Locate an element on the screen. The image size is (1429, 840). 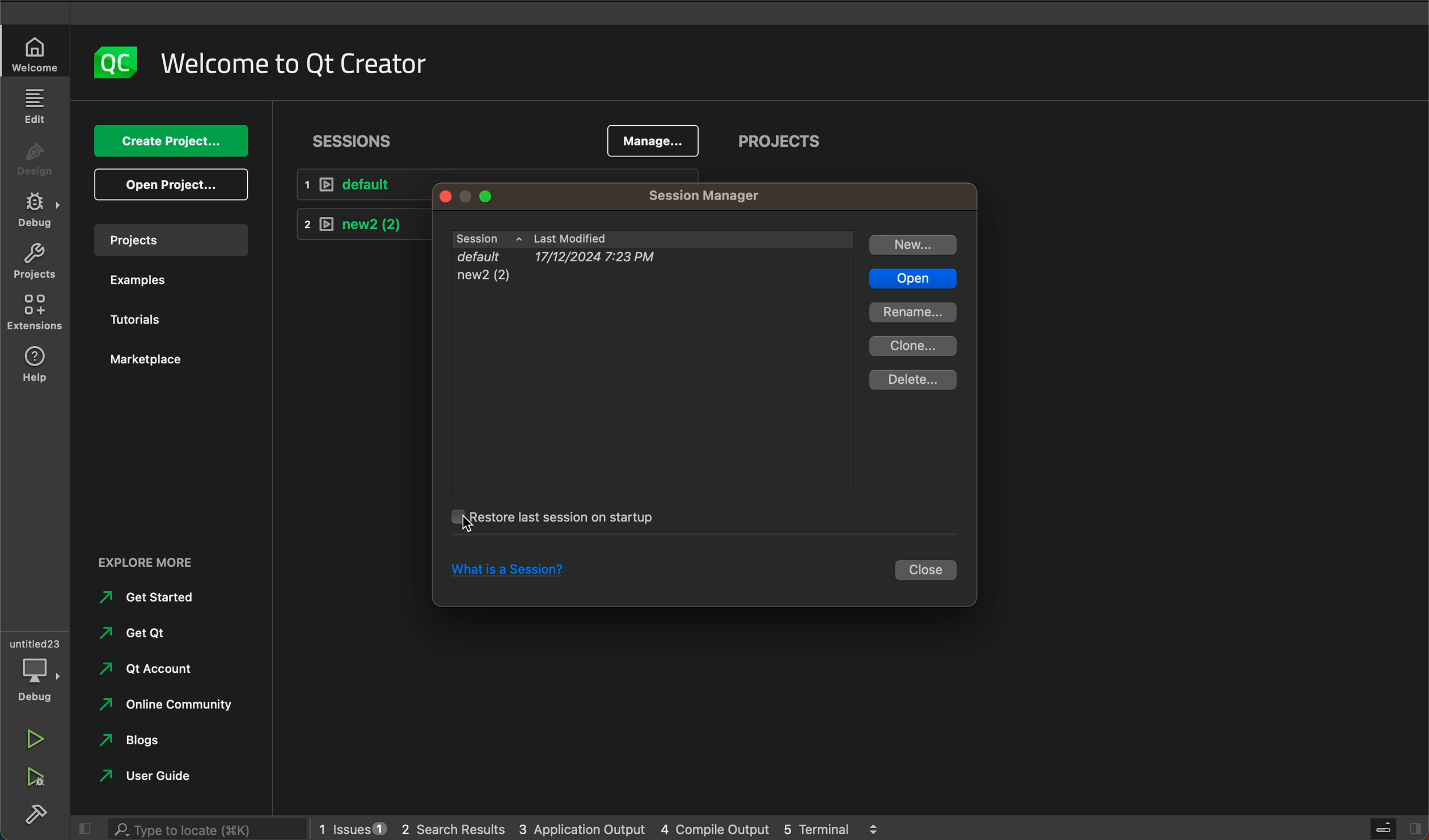
debug is located at coordinates (37, 669).